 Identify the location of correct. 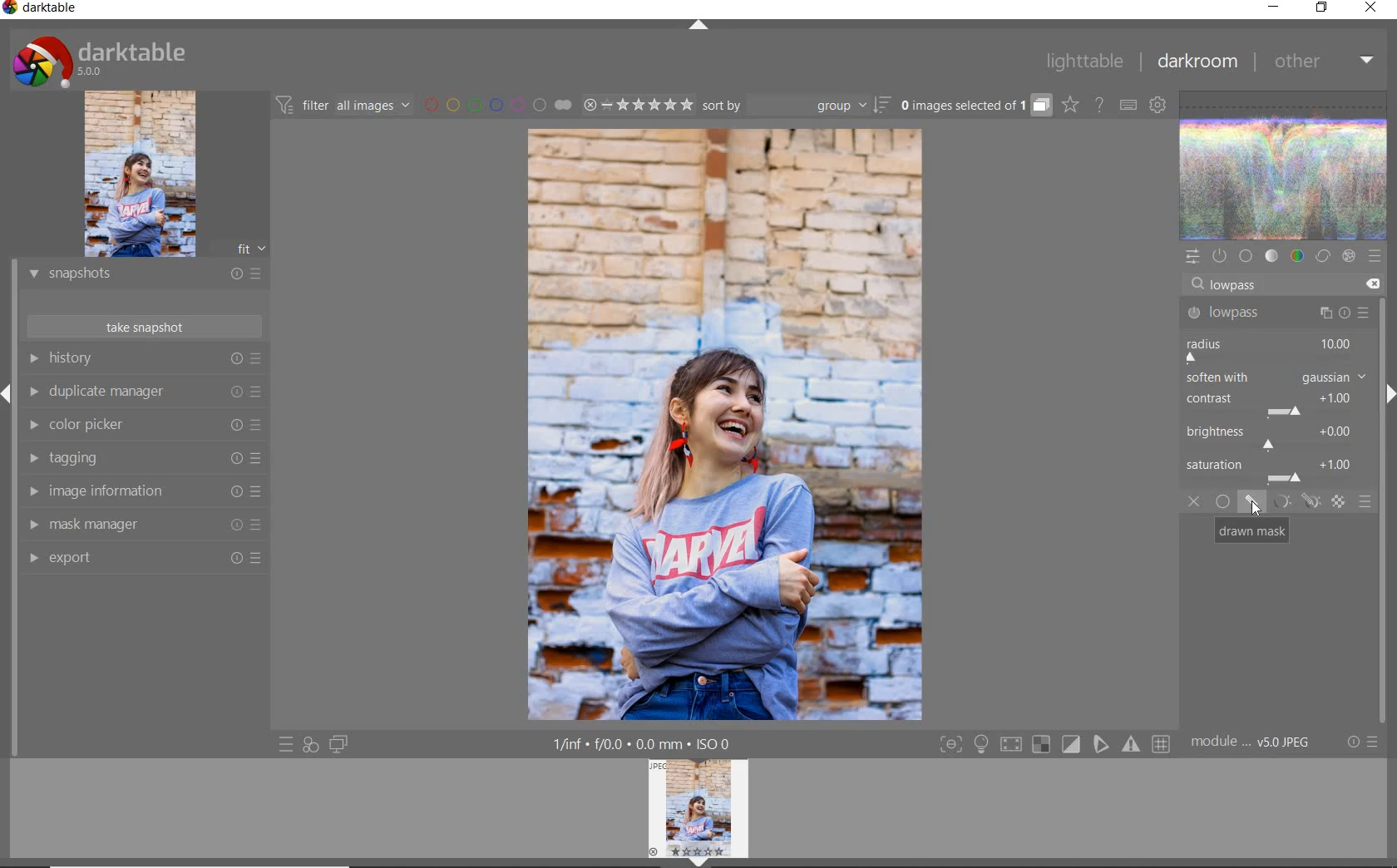
(1322, 257).